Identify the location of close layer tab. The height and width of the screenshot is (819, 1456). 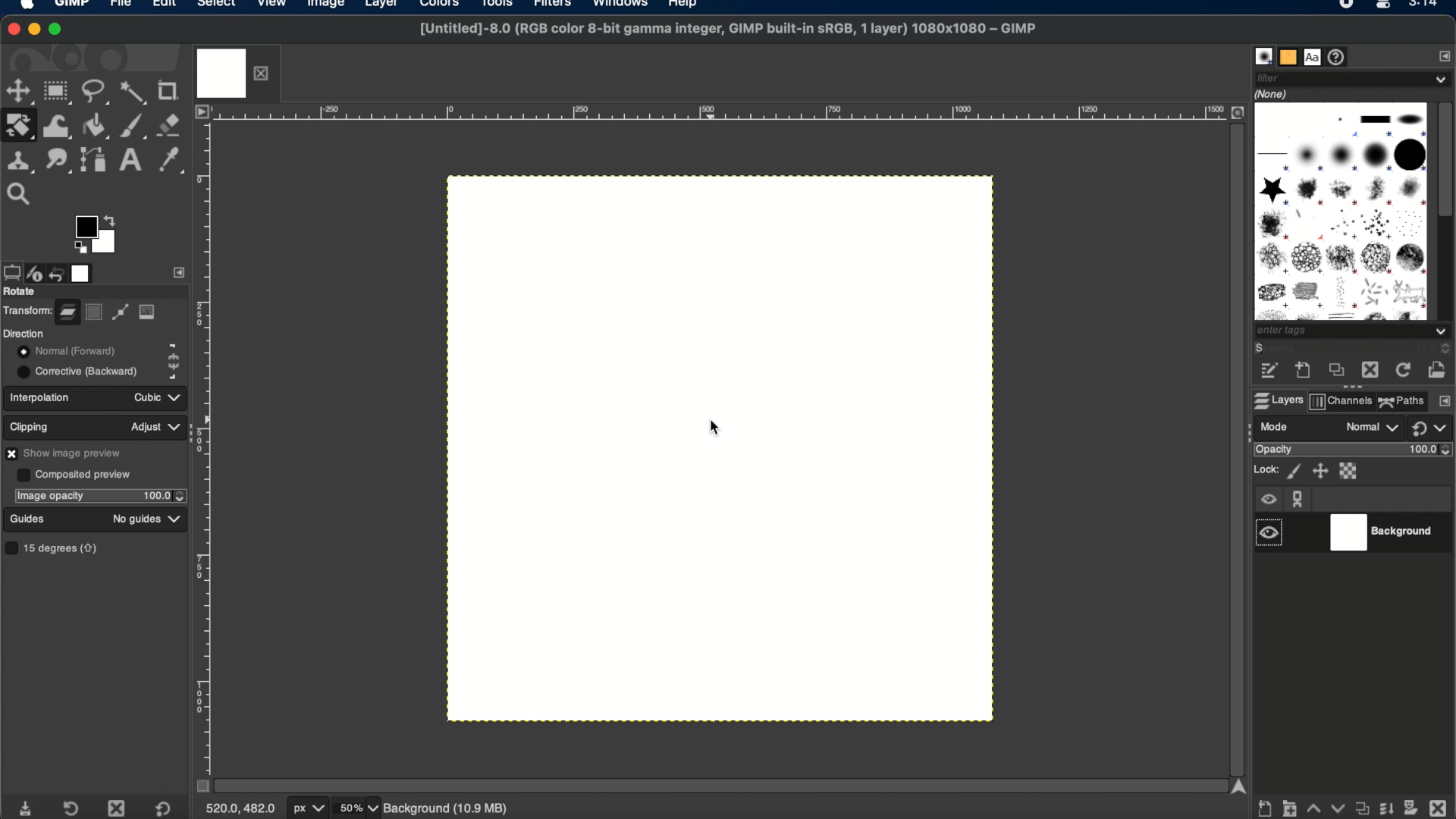
(265, 72).